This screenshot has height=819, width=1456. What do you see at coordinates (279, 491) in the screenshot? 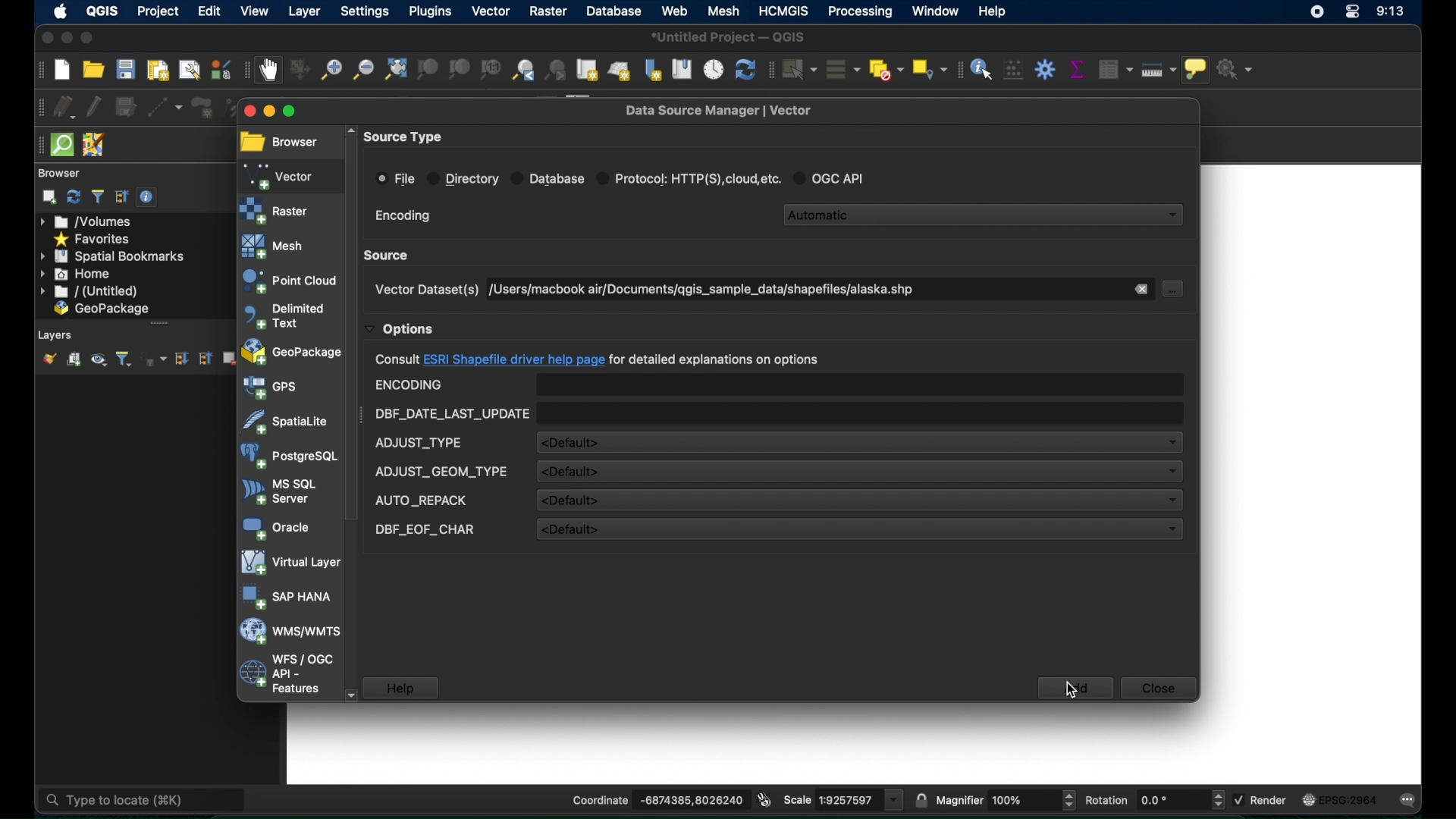
I see `ms sql server` at bounding box center [279, 491].